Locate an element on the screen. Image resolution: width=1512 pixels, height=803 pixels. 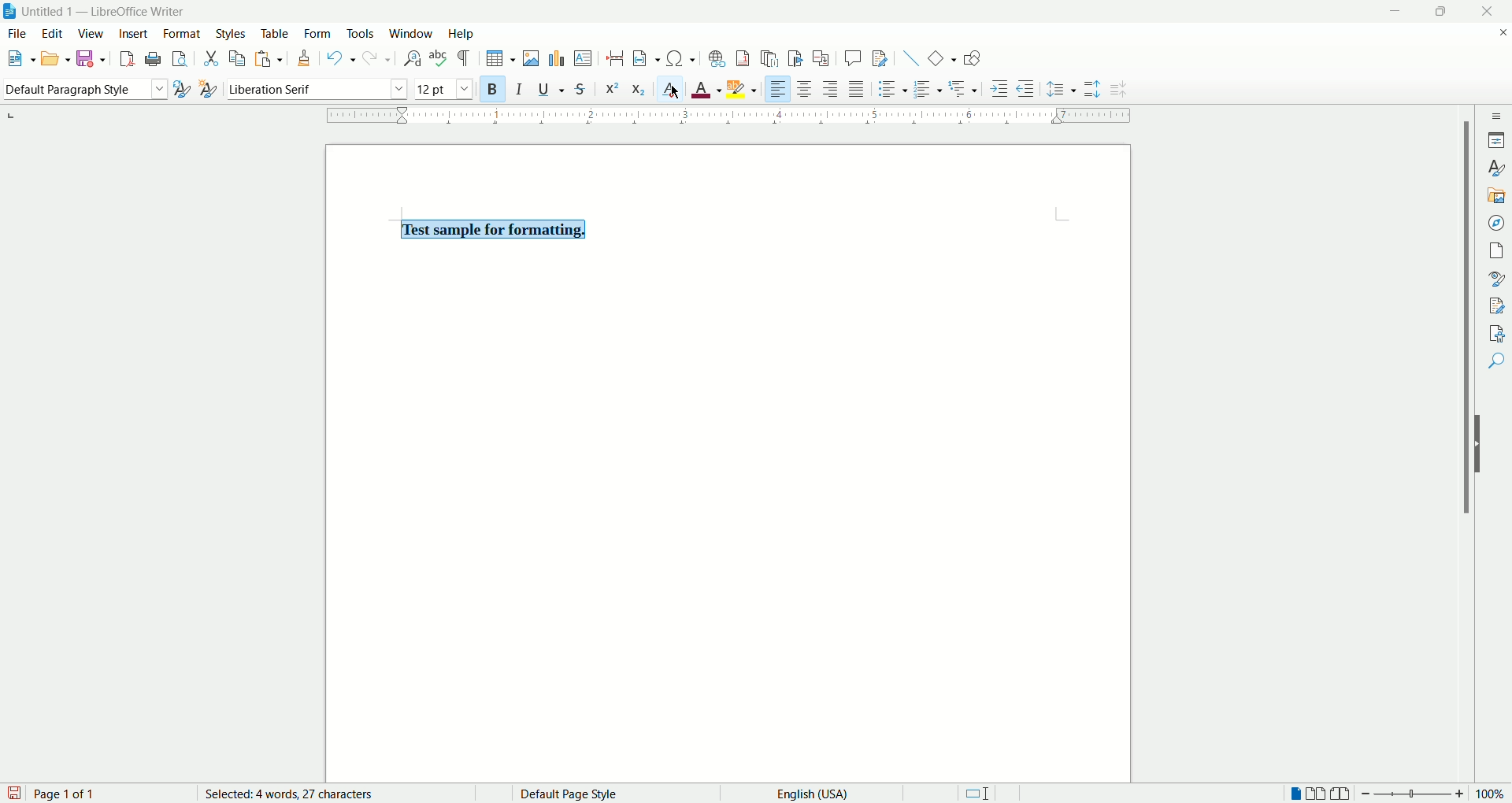
tools is located at coordinates (361, 33).